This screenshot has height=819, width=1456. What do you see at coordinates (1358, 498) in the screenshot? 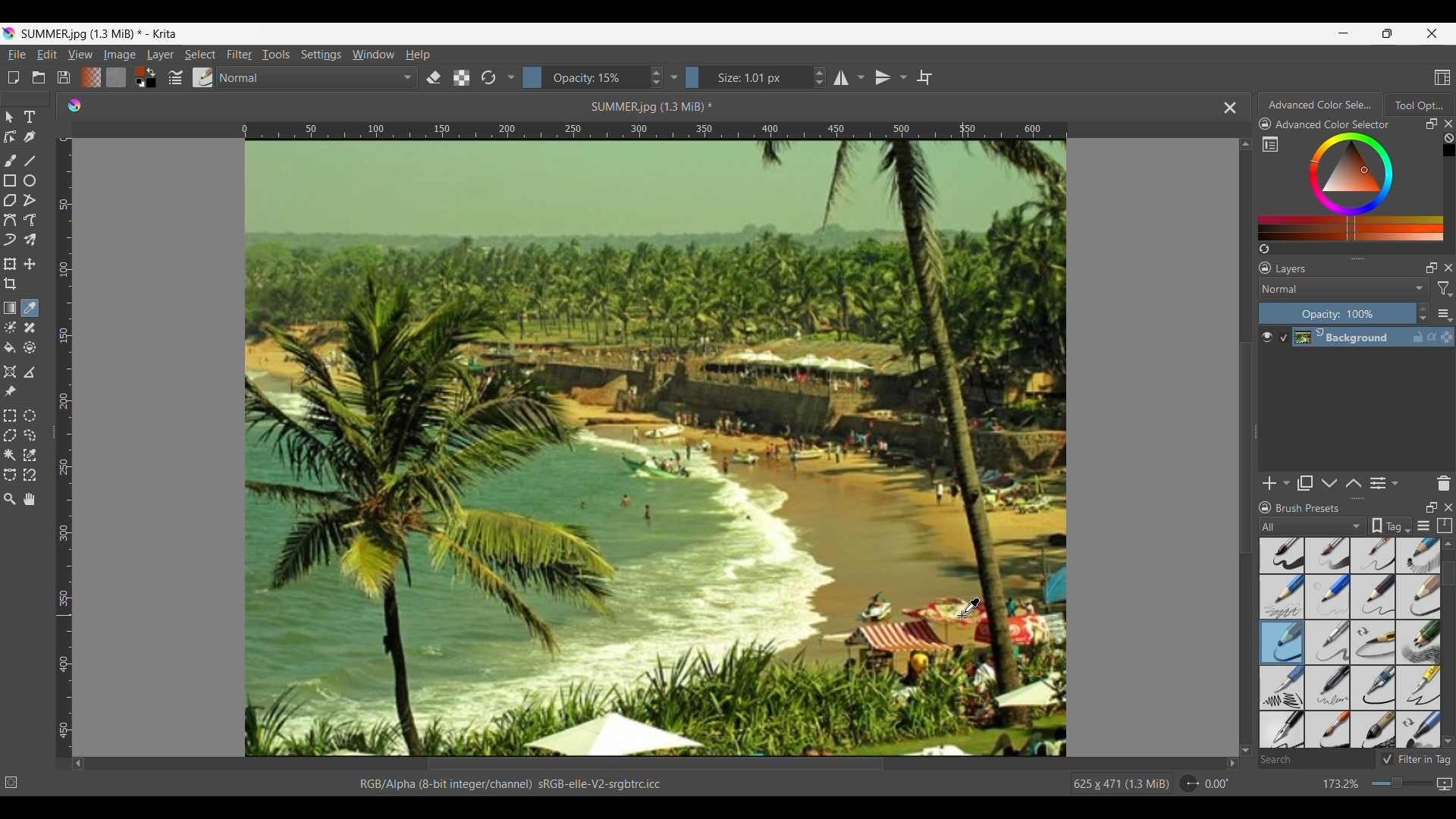
I see `Change height of panels attached to this line` at bounding box center [1358, 498].